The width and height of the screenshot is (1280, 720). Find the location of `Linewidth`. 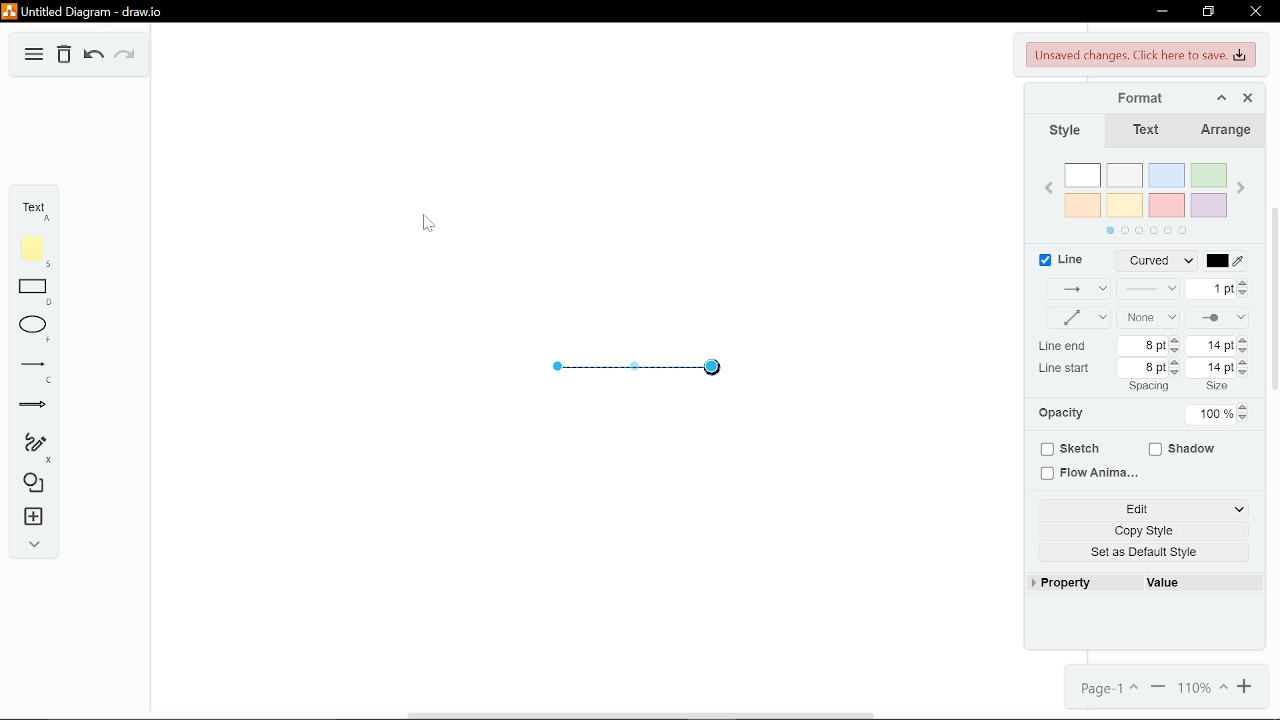

Linewidth is located at coordinates (1212, 289).